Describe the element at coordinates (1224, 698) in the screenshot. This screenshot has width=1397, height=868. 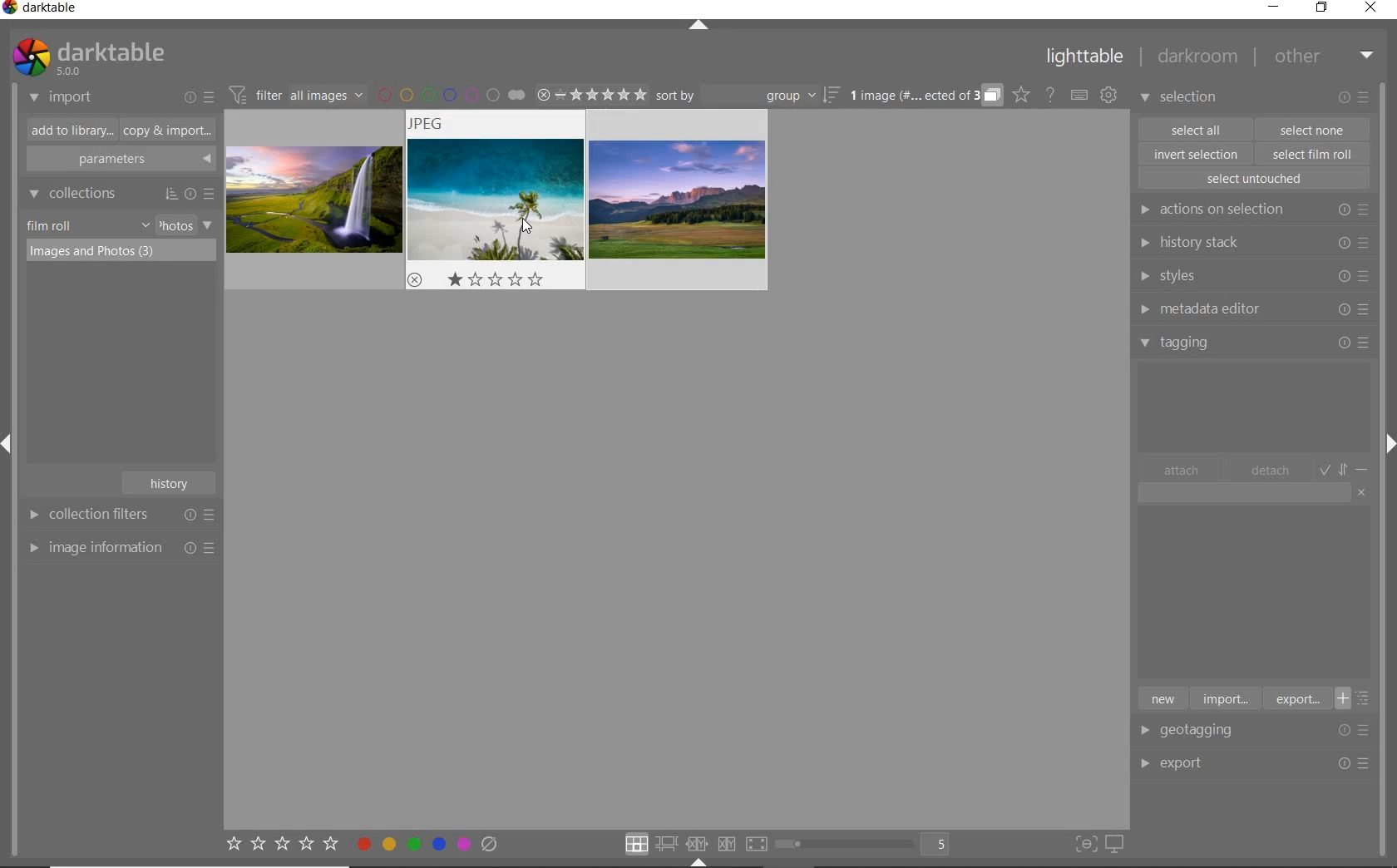
I see `import` at that location.